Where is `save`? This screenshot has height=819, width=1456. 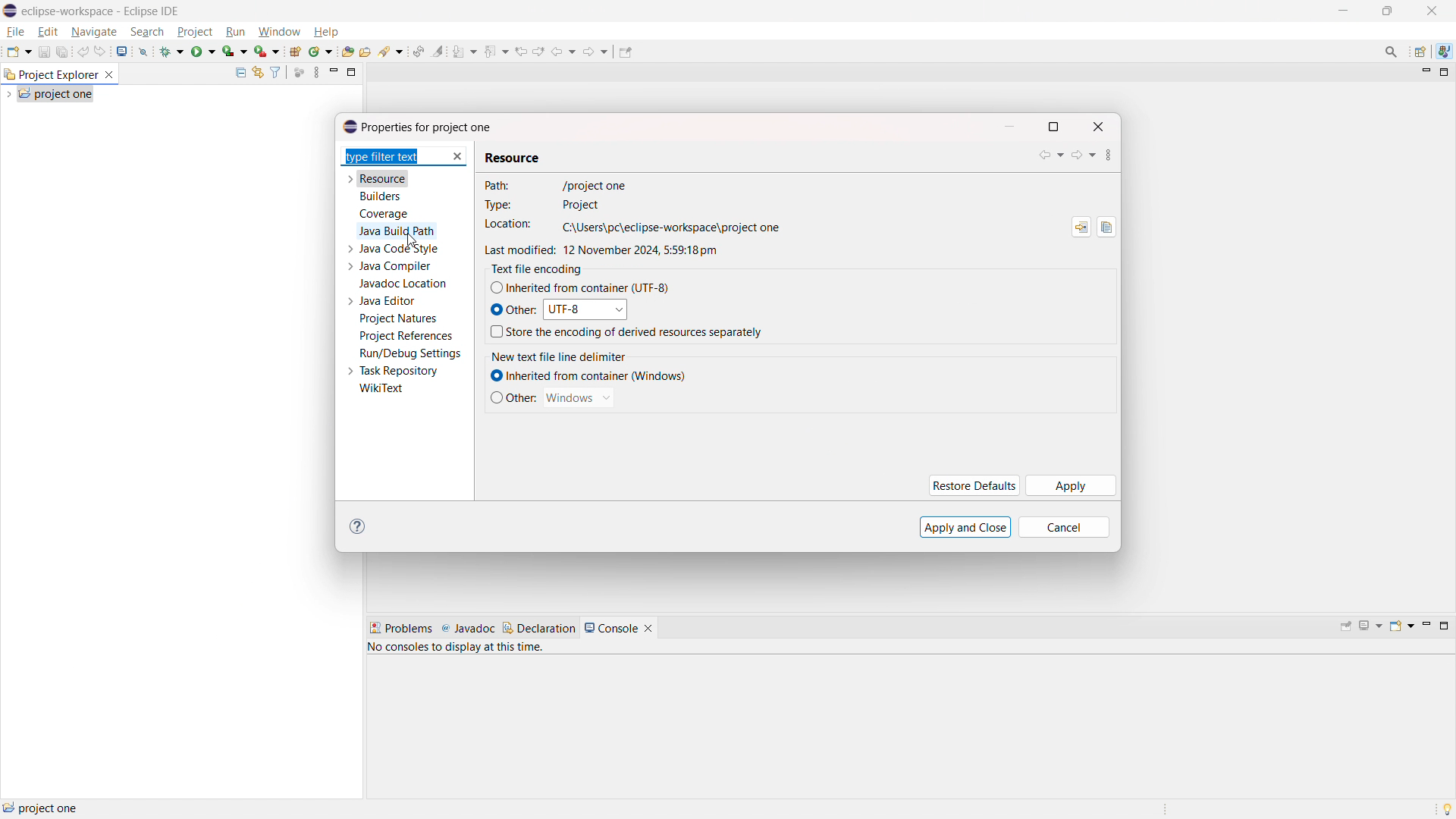 save is located at coordinates (44, 52).